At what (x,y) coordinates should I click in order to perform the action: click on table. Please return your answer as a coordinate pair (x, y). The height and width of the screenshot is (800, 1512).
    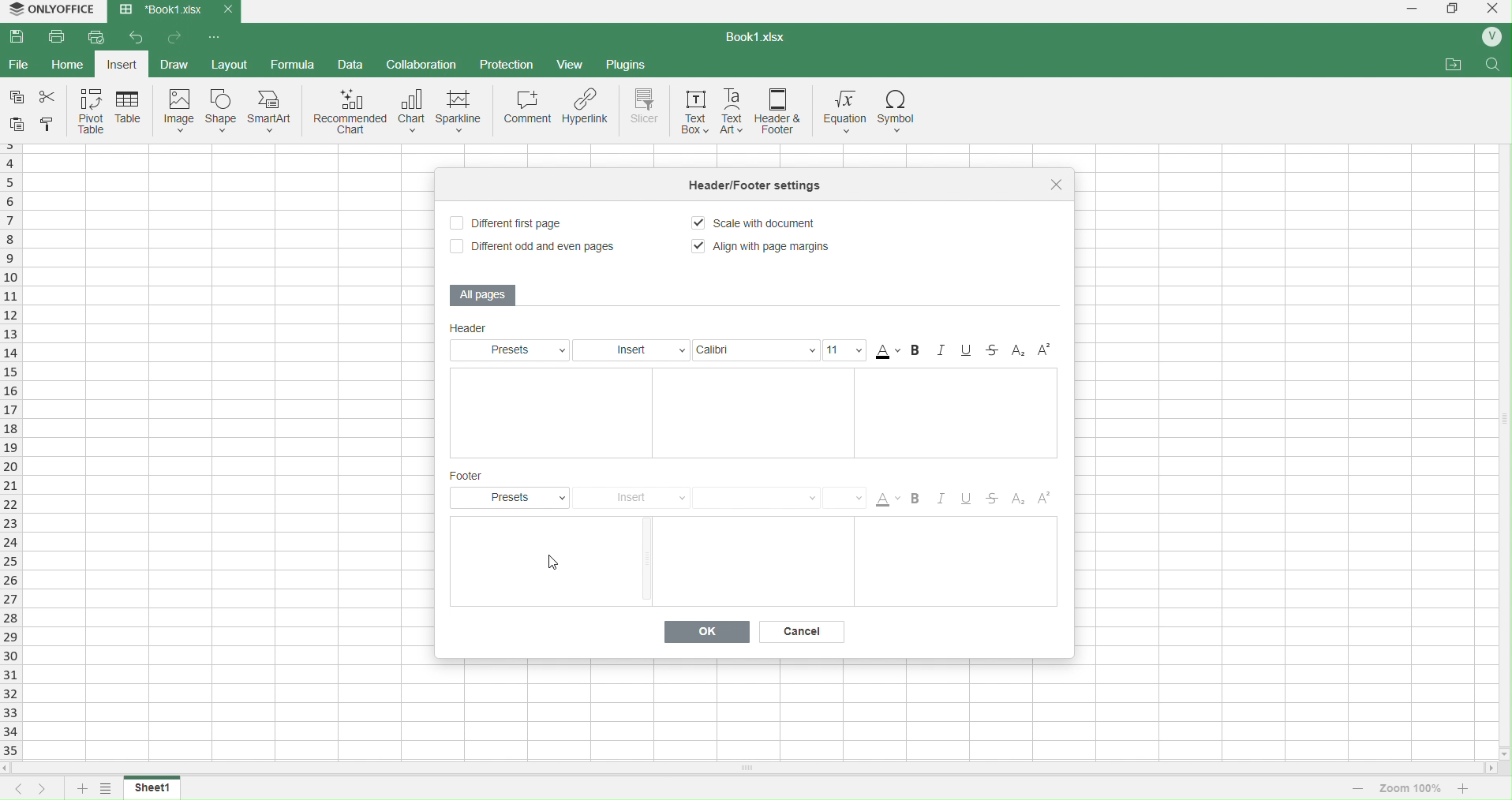
    Looking at the image, I should click on (129, 112).